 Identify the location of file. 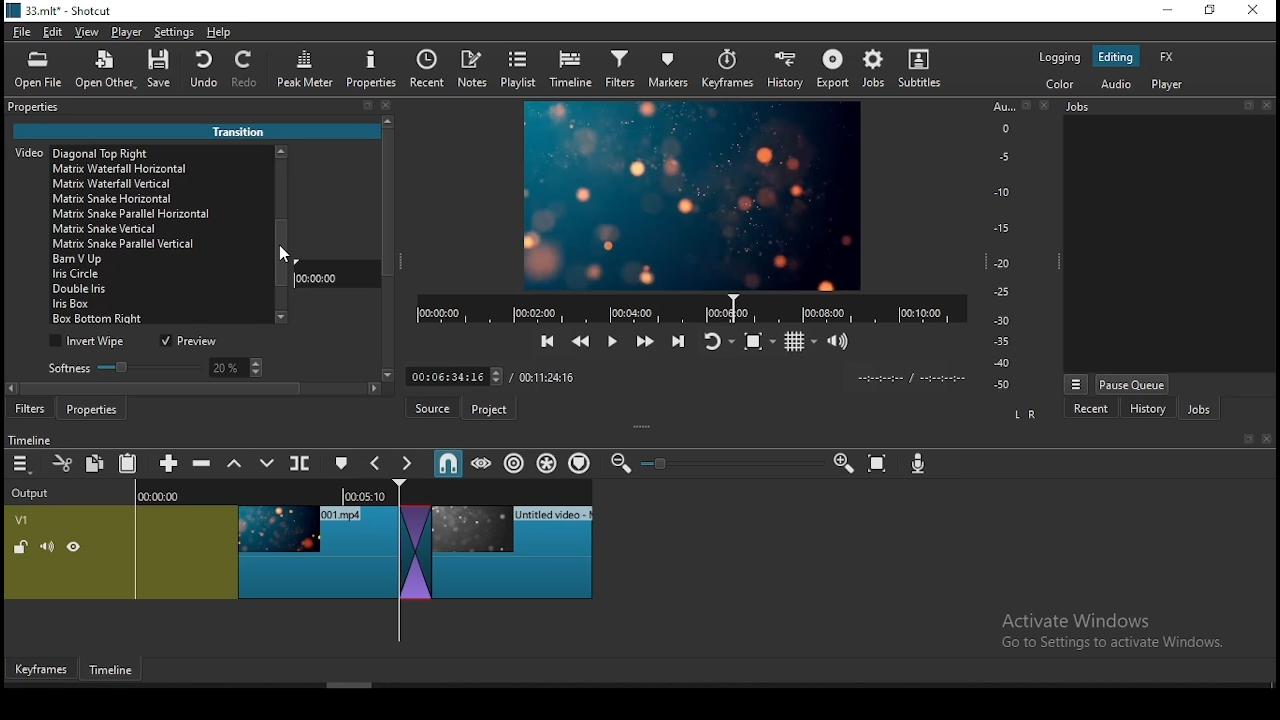
(23, 33).